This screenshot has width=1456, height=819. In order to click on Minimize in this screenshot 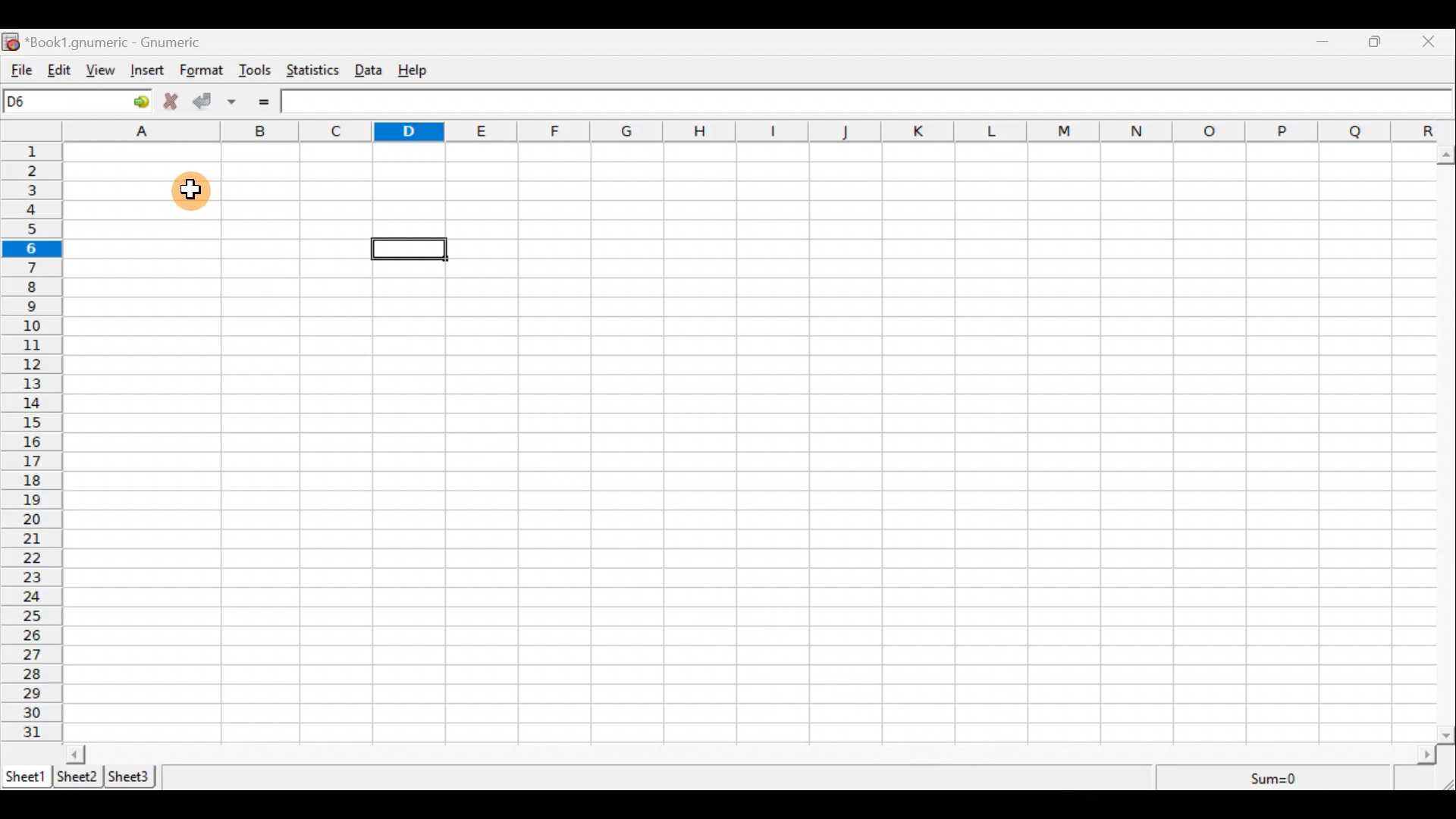, I will do `click(1323, 43)`.